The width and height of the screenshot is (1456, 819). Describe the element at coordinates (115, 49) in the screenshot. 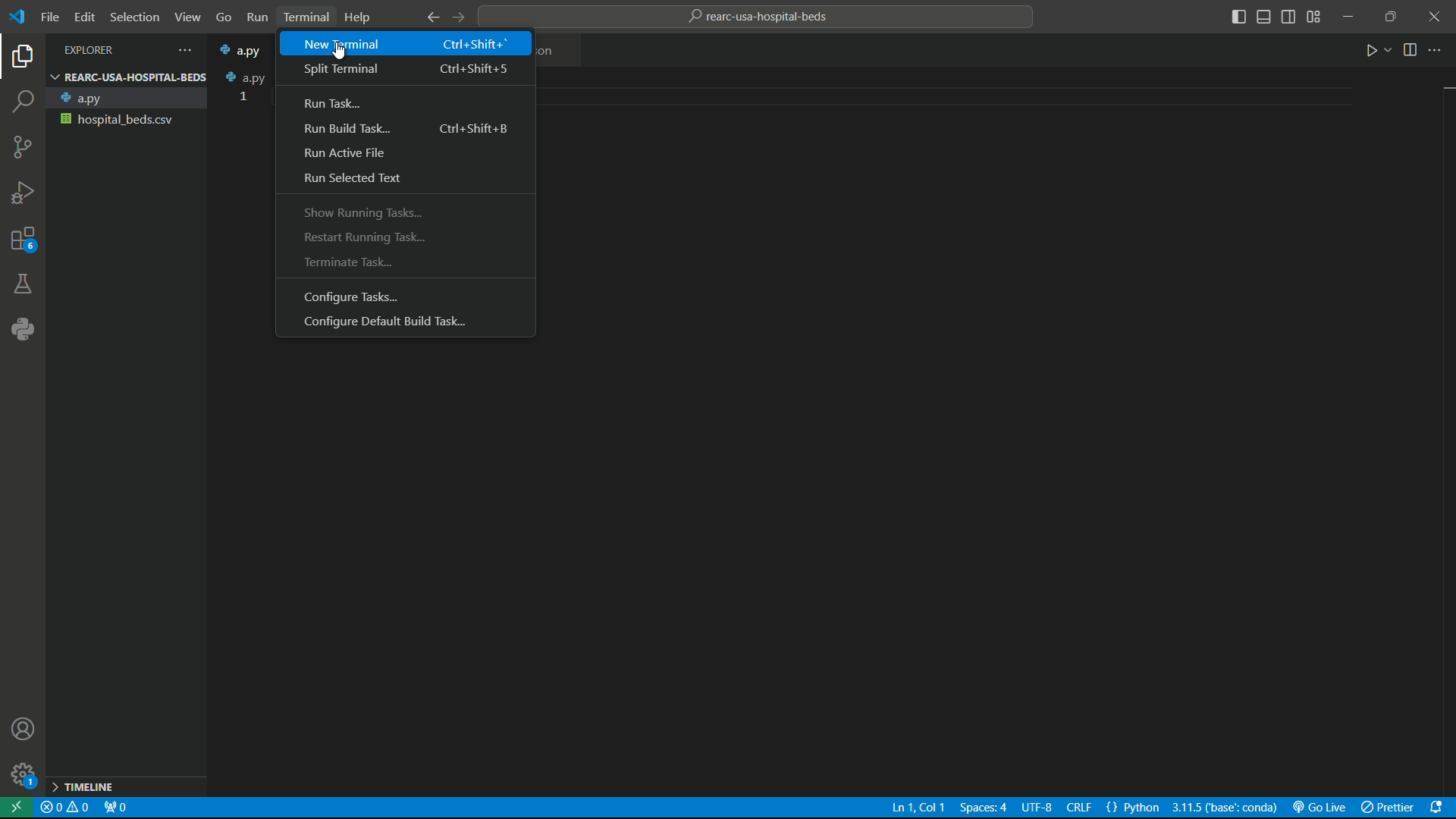

I see `EXPLORER` at that location.